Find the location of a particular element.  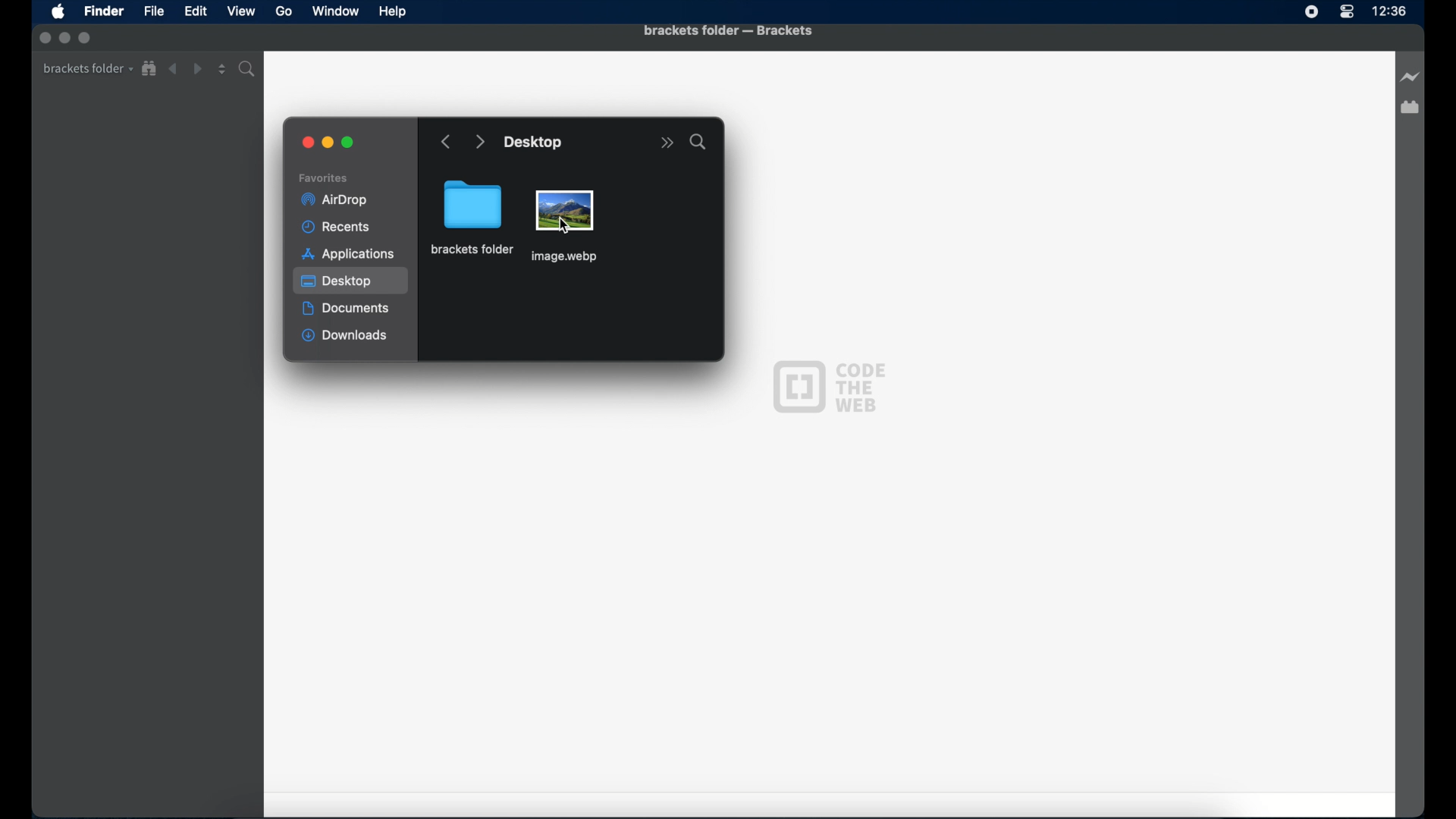

desktop is located at coordinates (535, 143).